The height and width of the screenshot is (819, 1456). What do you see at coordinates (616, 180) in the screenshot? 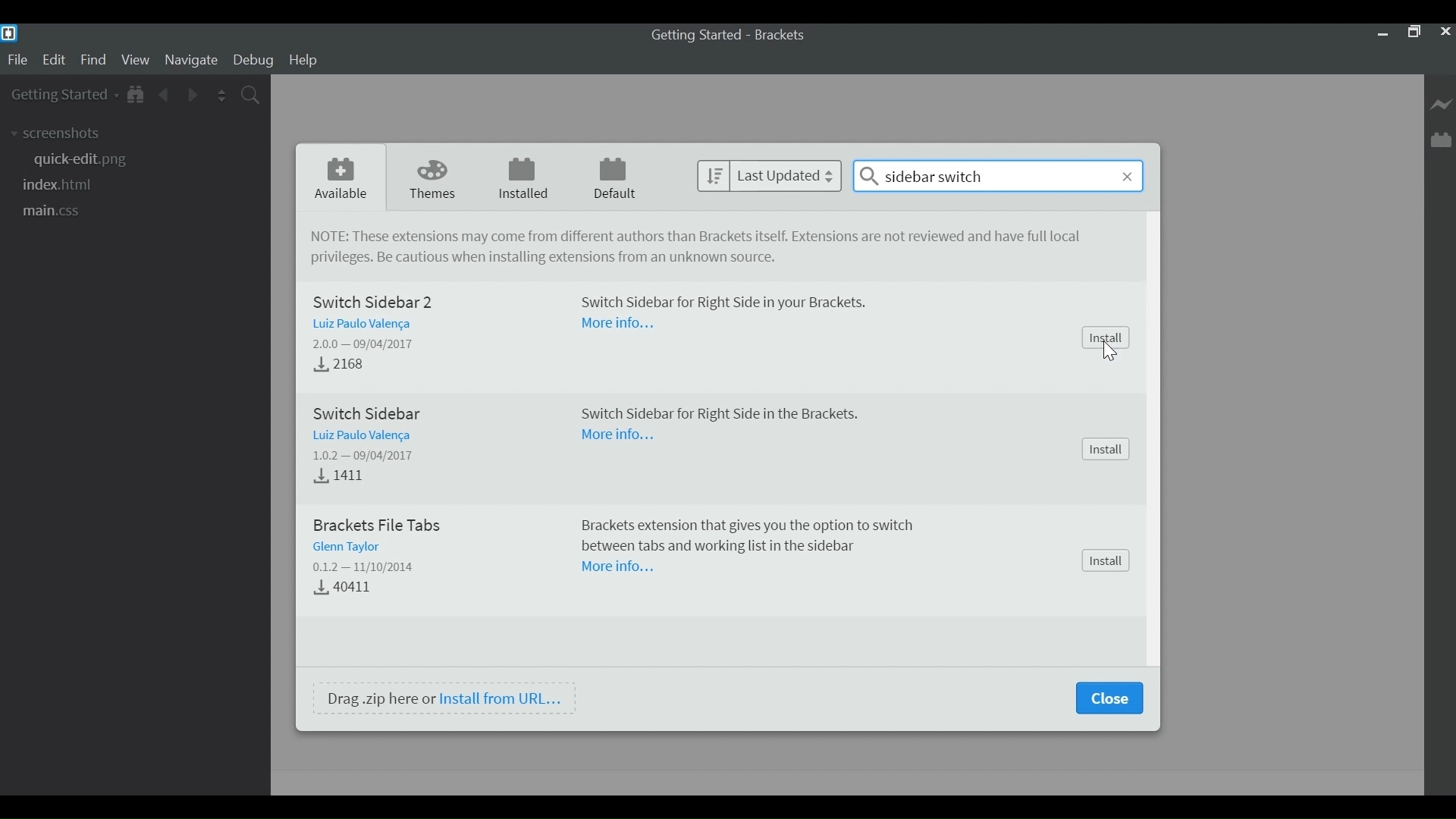
I see `Default ` at bounding box center [616, 180].